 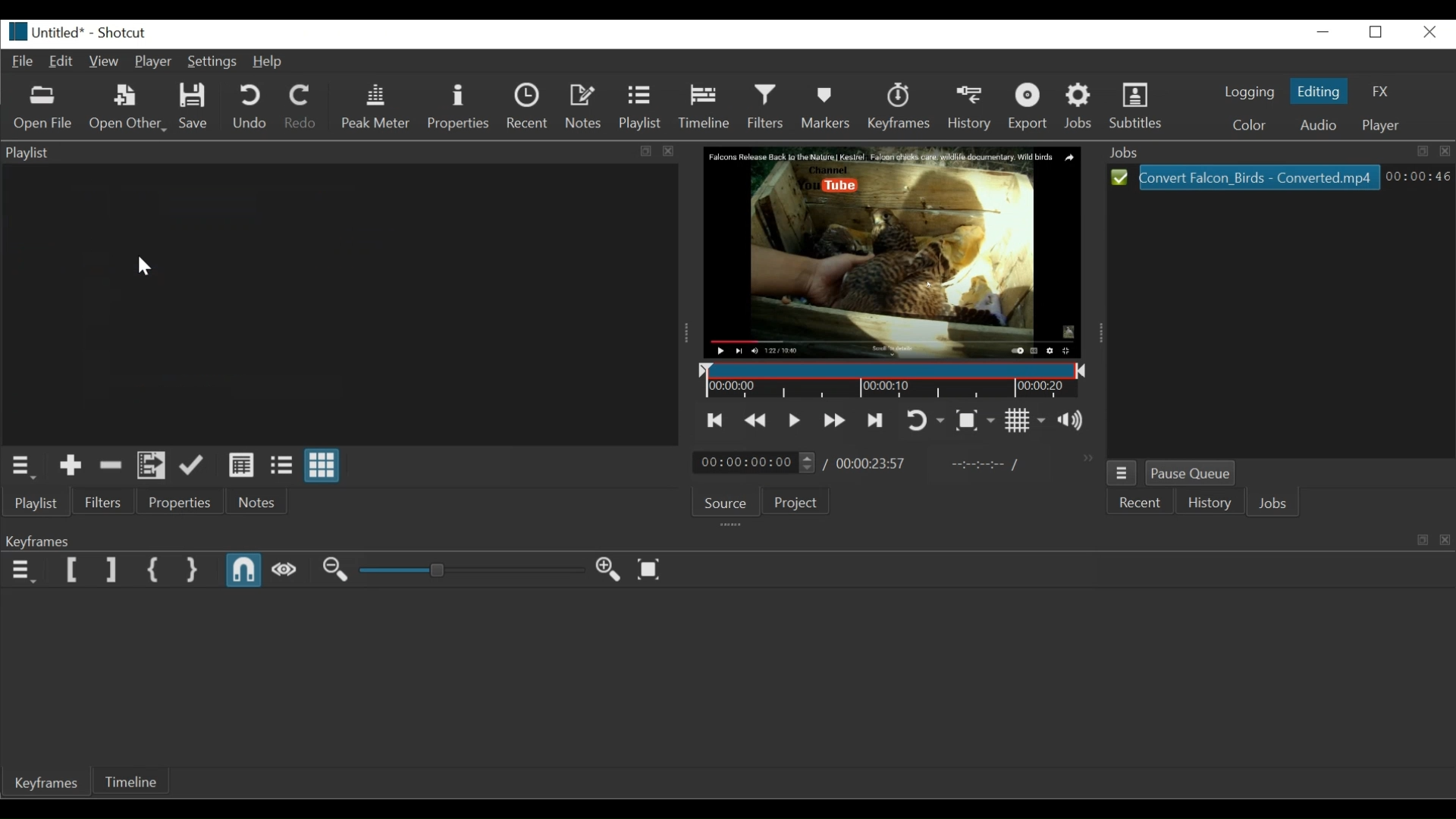 What do you see at coordinates (833, 421) in the screenshot?
I see `Play quickly forward` at bounding box center [833, 421].